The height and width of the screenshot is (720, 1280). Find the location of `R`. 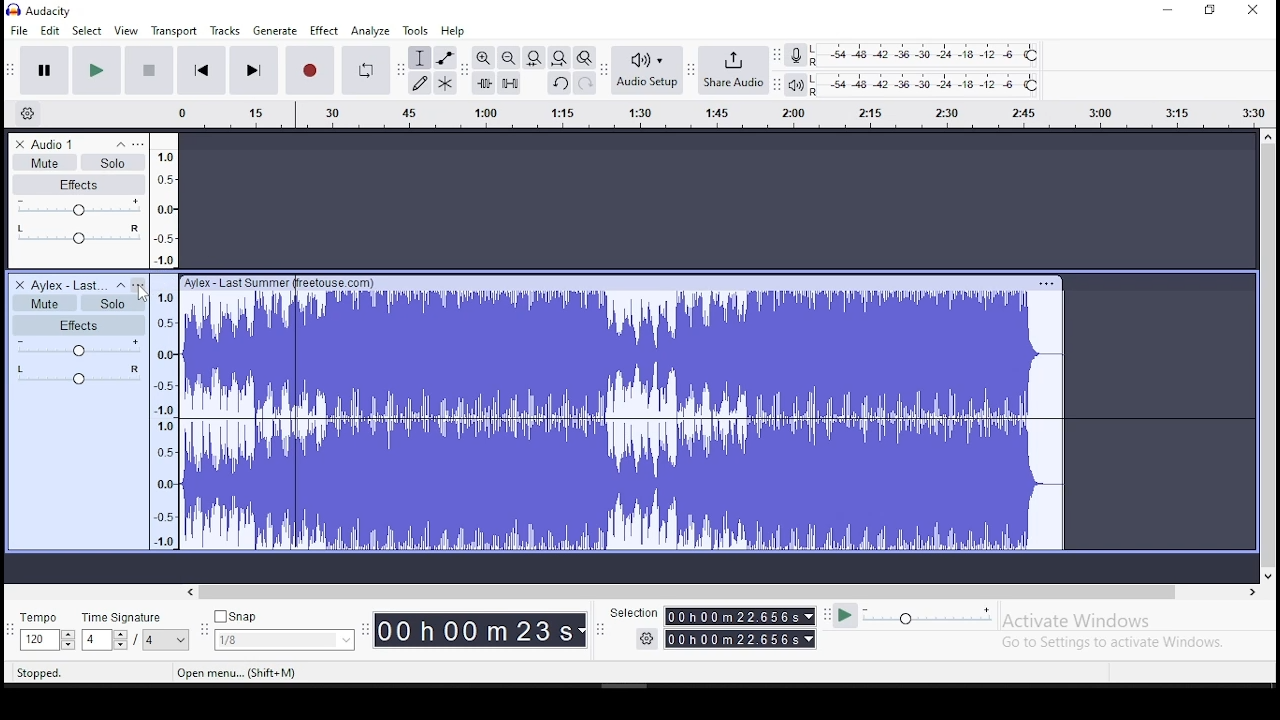

R is located at coordinates (816, 63).